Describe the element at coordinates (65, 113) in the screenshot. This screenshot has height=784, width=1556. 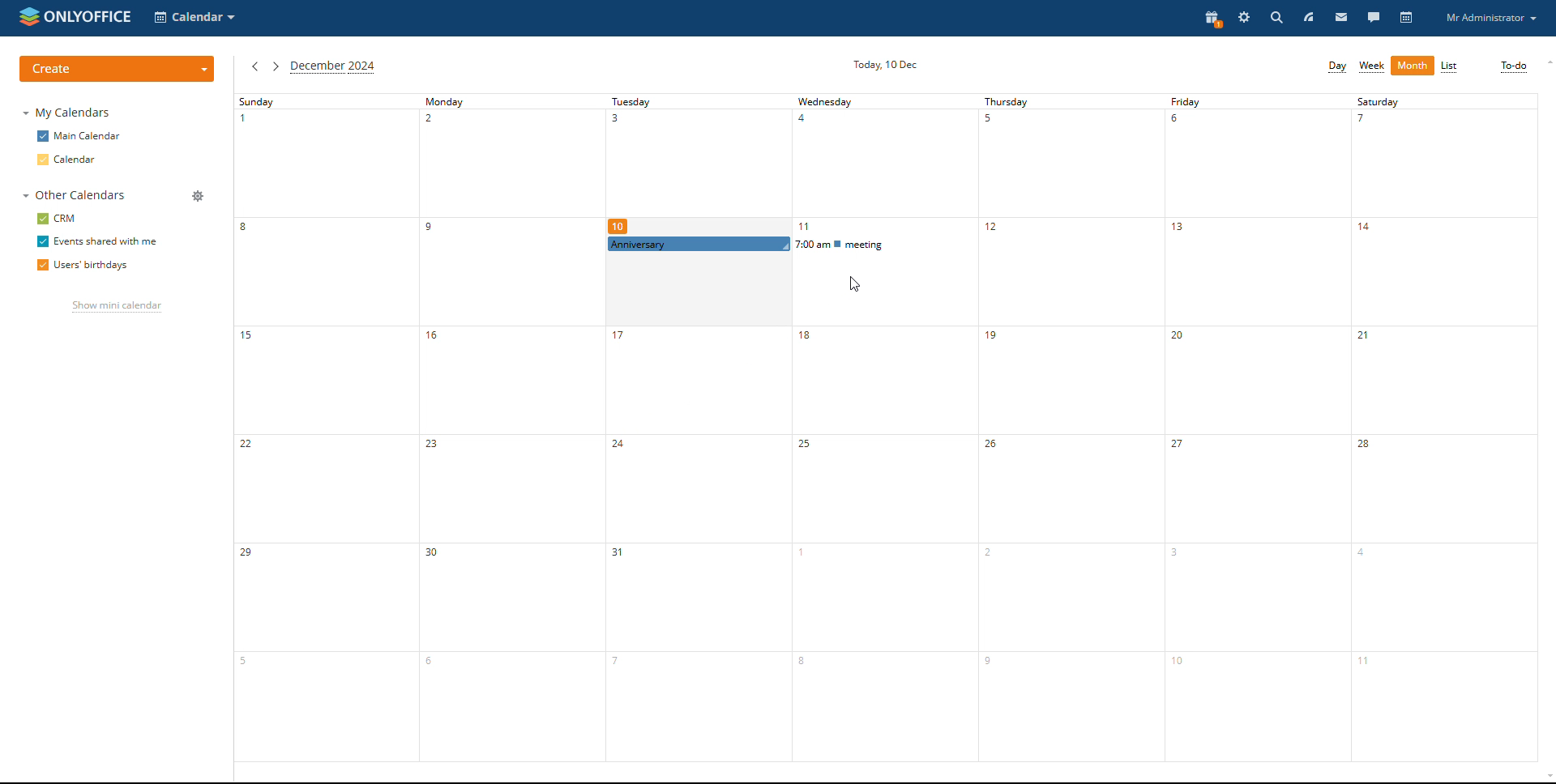
I see `my calendars` at that location.